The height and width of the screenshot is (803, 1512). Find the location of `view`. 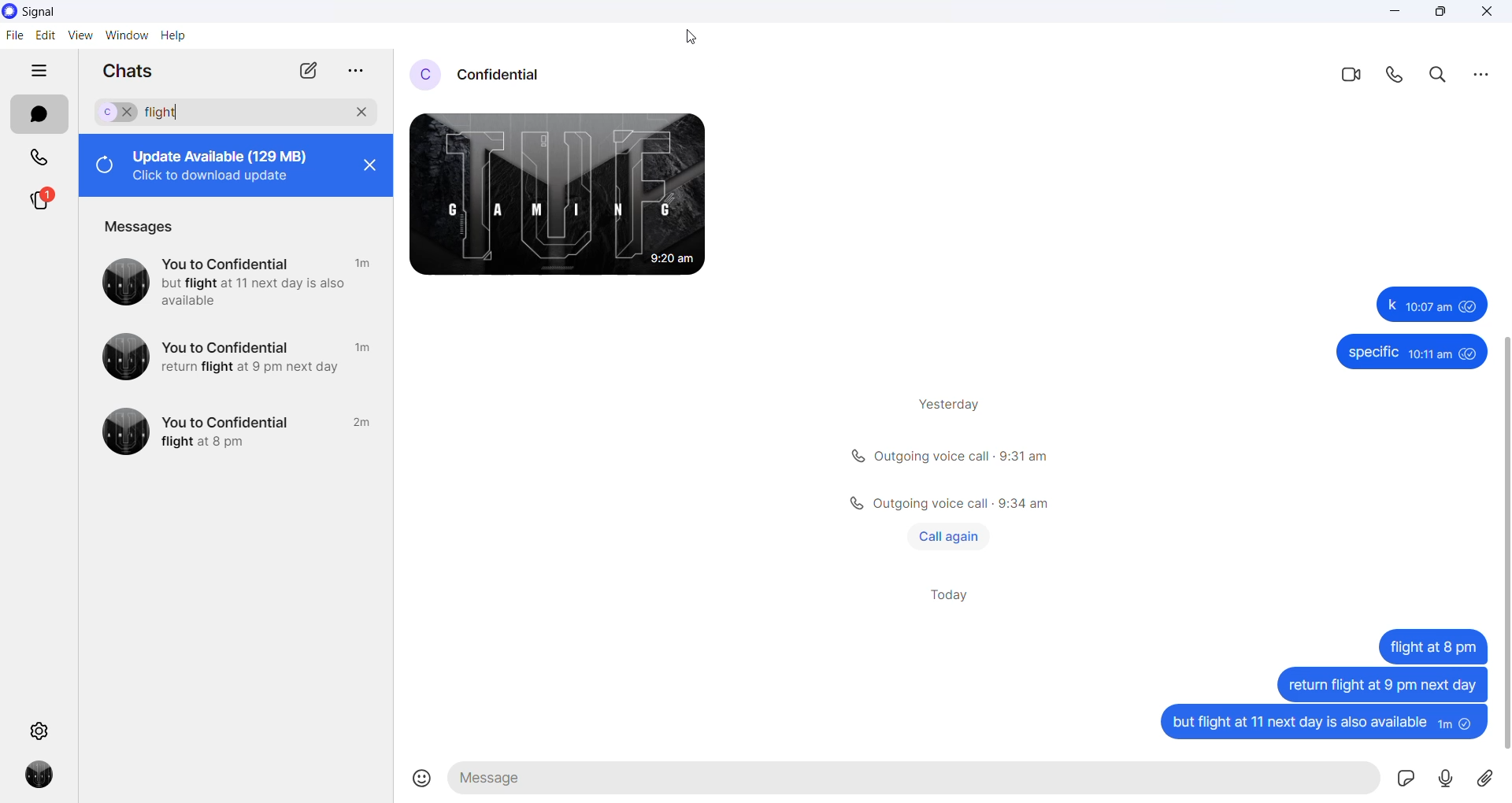

view is located at coordinates (80, 35).